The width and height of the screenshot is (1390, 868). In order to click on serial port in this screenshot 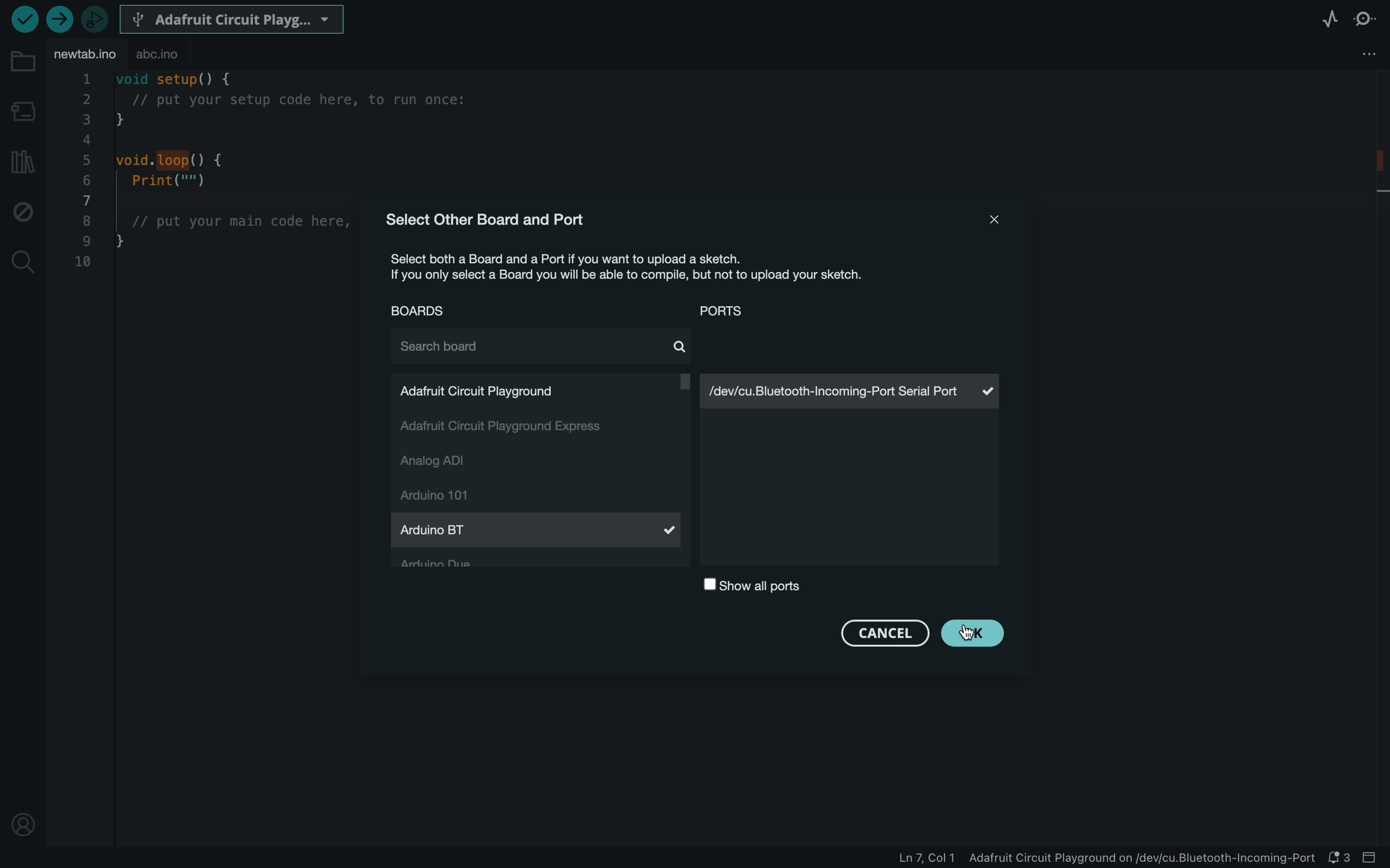, I will do `click(853, 392)`.